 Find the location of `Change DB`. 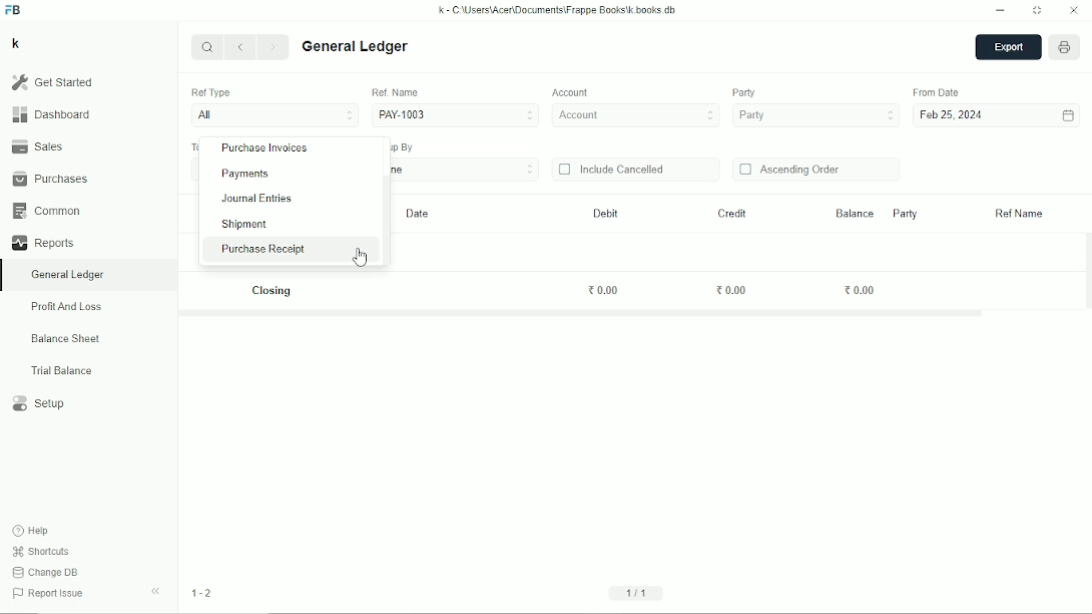

Change DB is located at coordinates (46, 572).